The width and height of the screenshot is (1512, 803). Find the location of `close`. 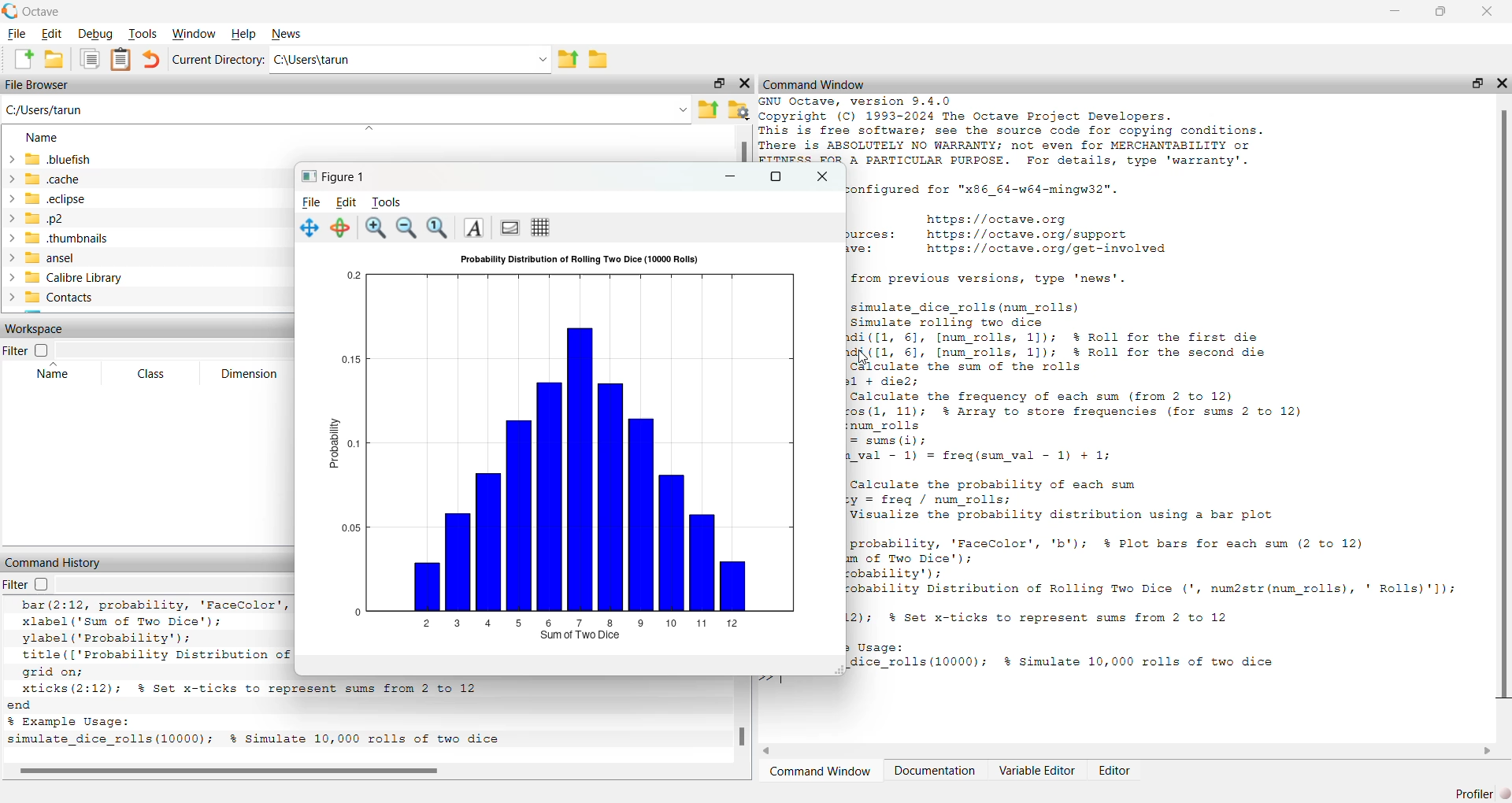

close is located at coordinates (824, 175).